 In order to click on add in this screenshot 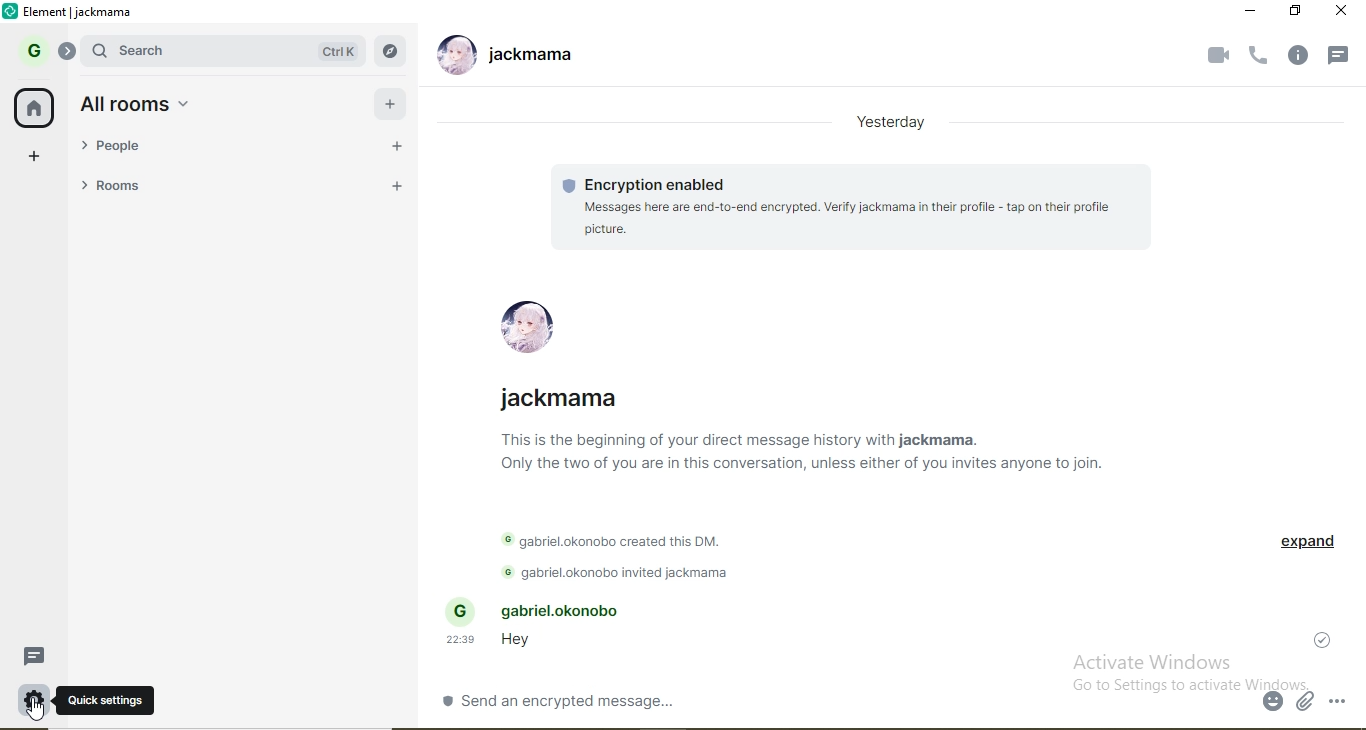, I will do `click(36, 157)`.